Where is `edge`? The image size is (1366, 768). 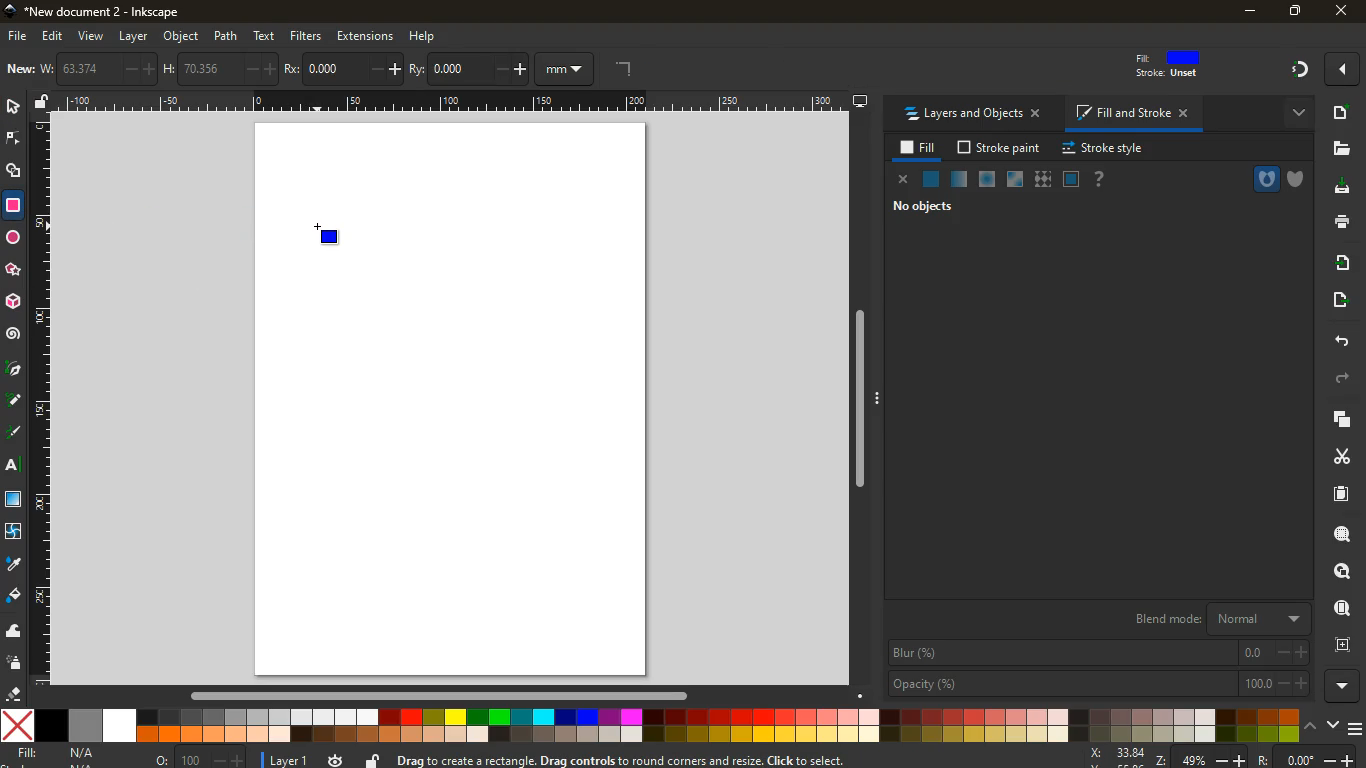 edge is located at coordinates (14, 142).